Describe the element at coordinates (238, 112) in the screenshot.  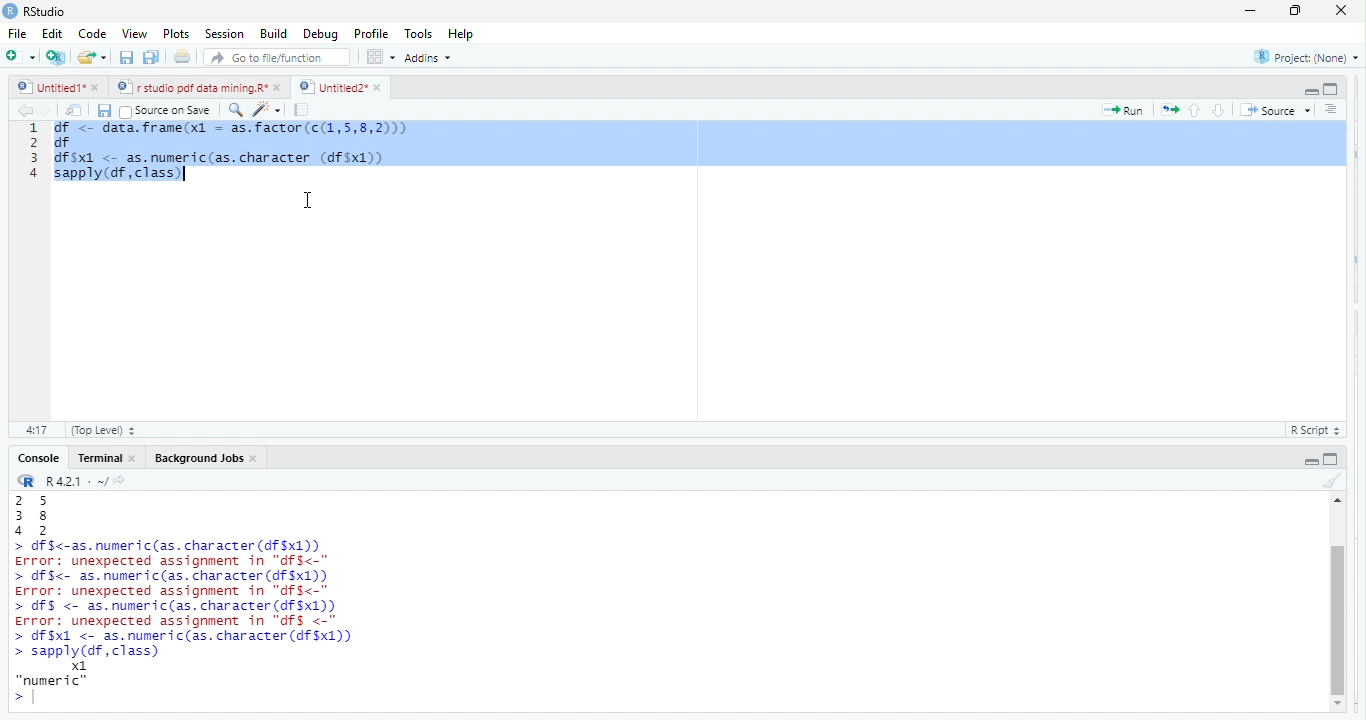
I see `find/replace` at that location.